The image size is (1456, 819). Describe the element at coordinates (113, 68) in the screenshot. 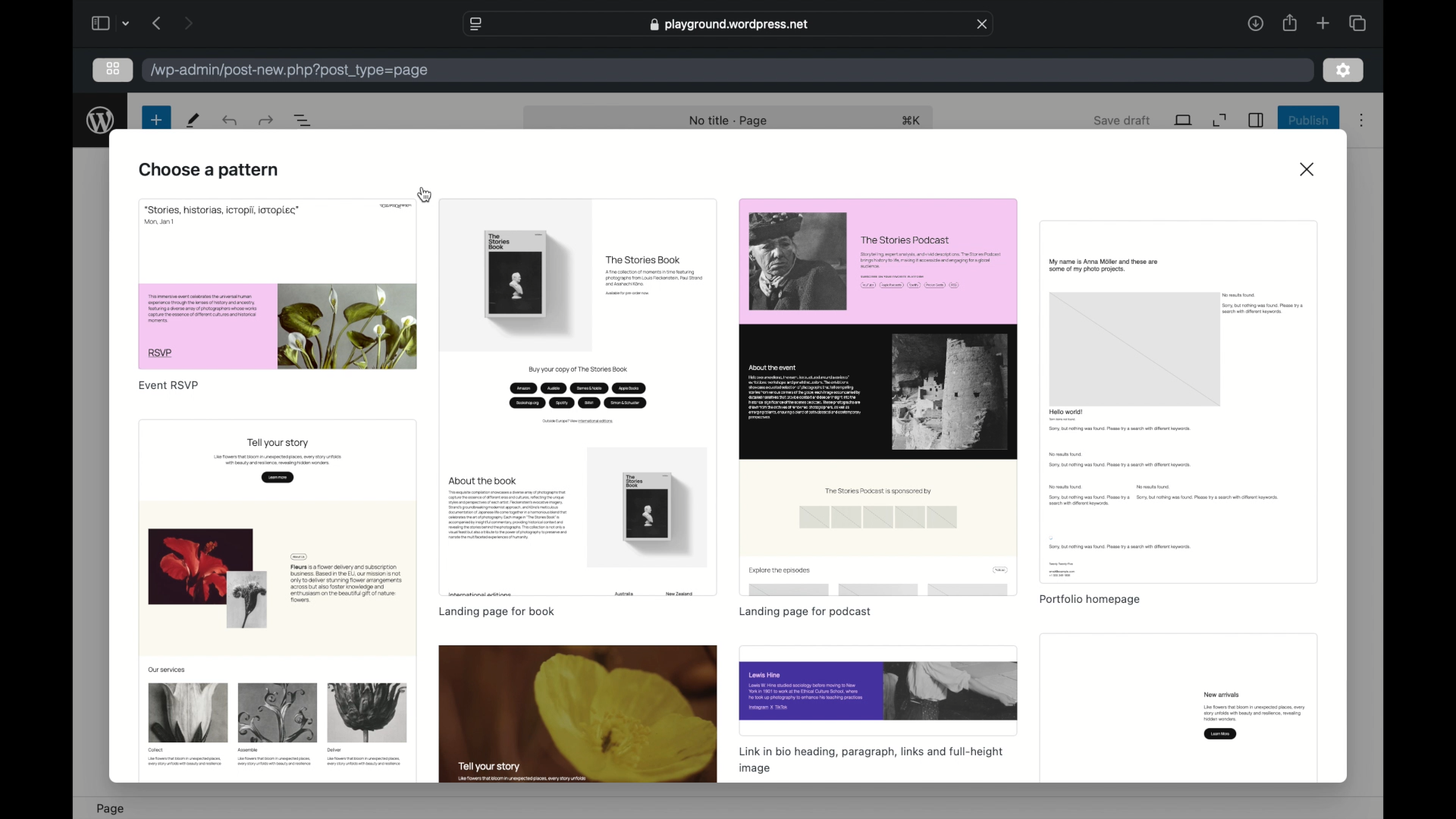

I see `grid` at that location.